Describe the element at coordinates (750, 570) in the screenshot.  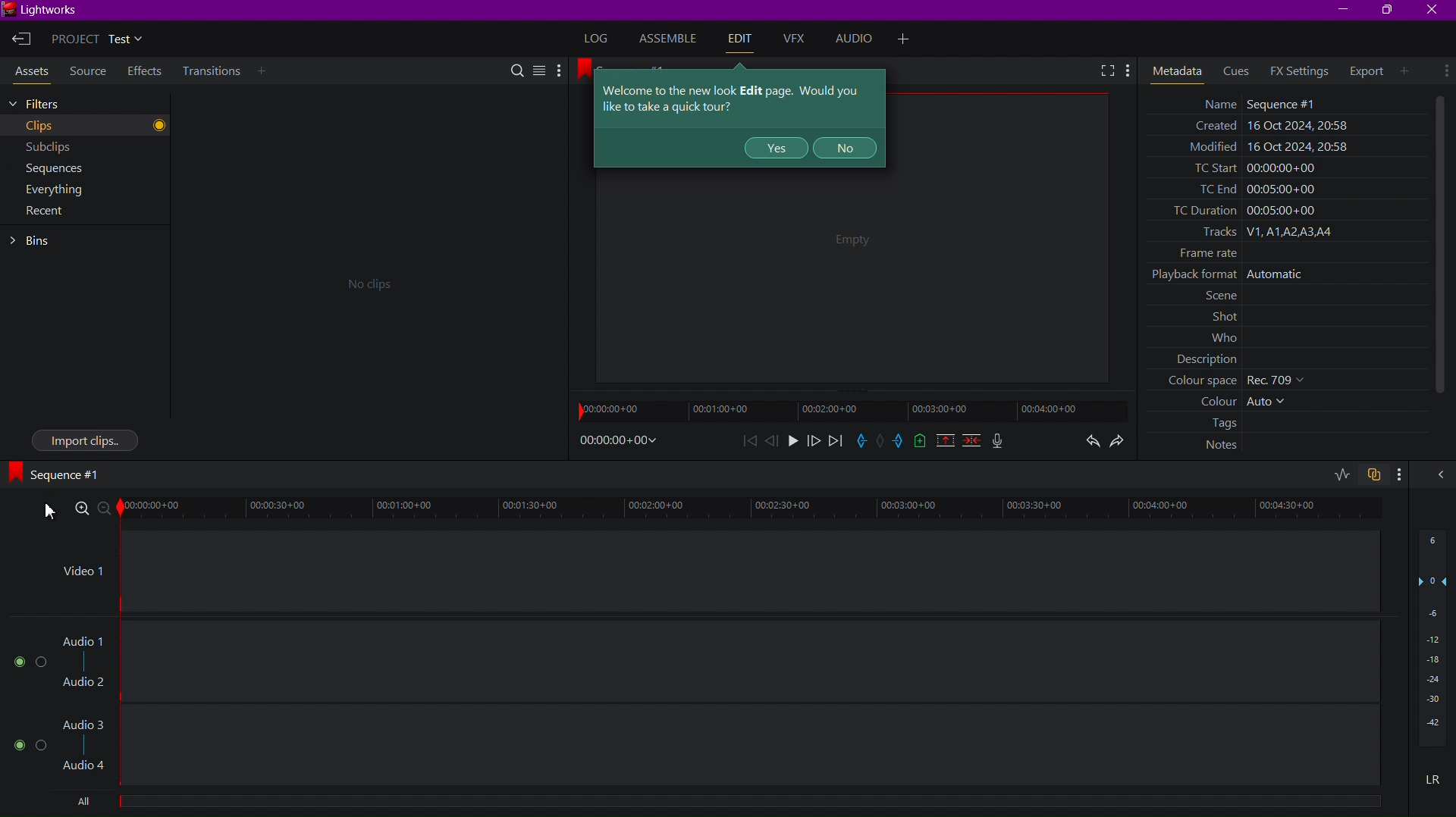
I see `Video 1` at that location.